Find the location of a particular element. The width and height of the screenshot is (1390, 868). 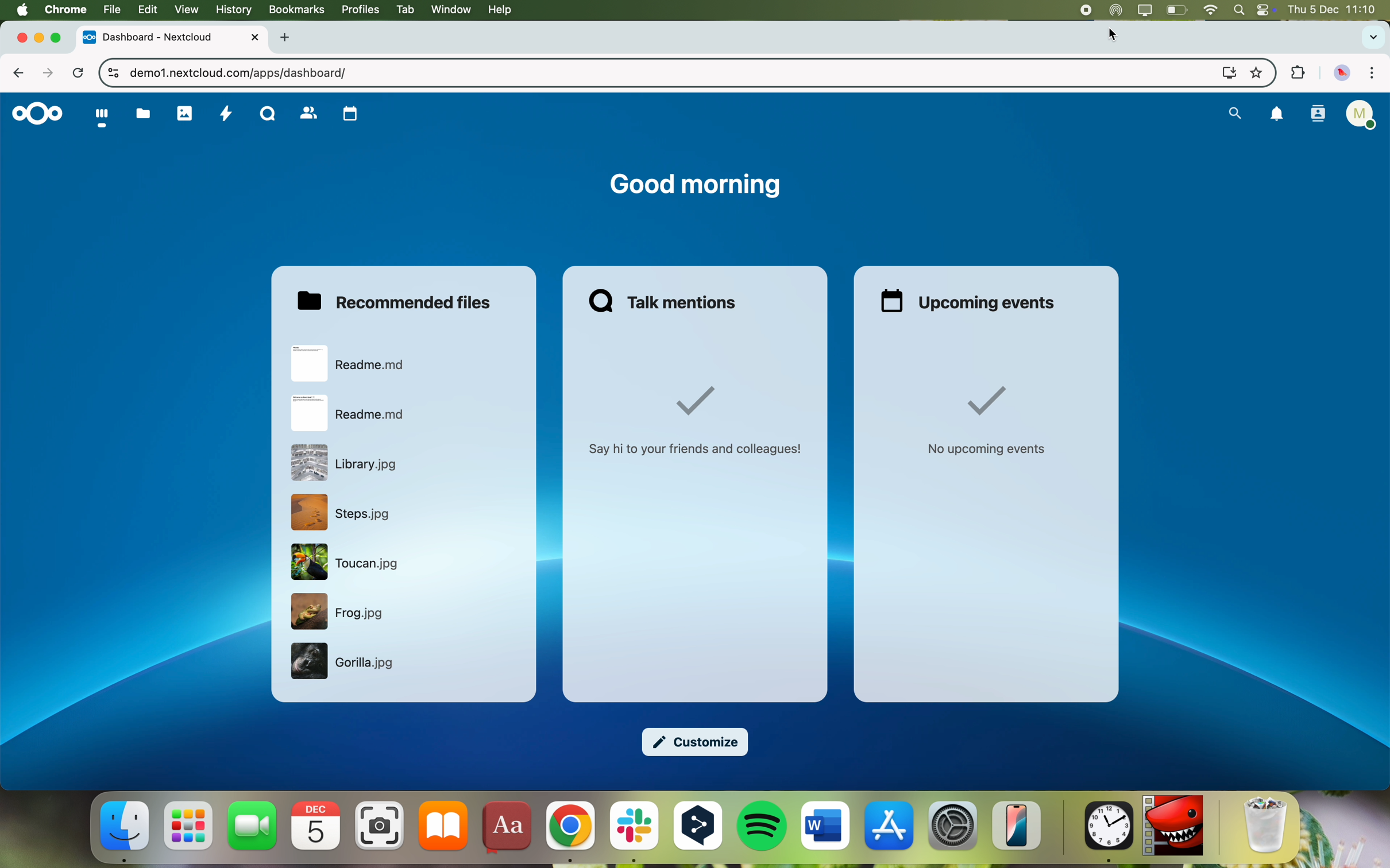

activity is located at coordinates (226, 115).